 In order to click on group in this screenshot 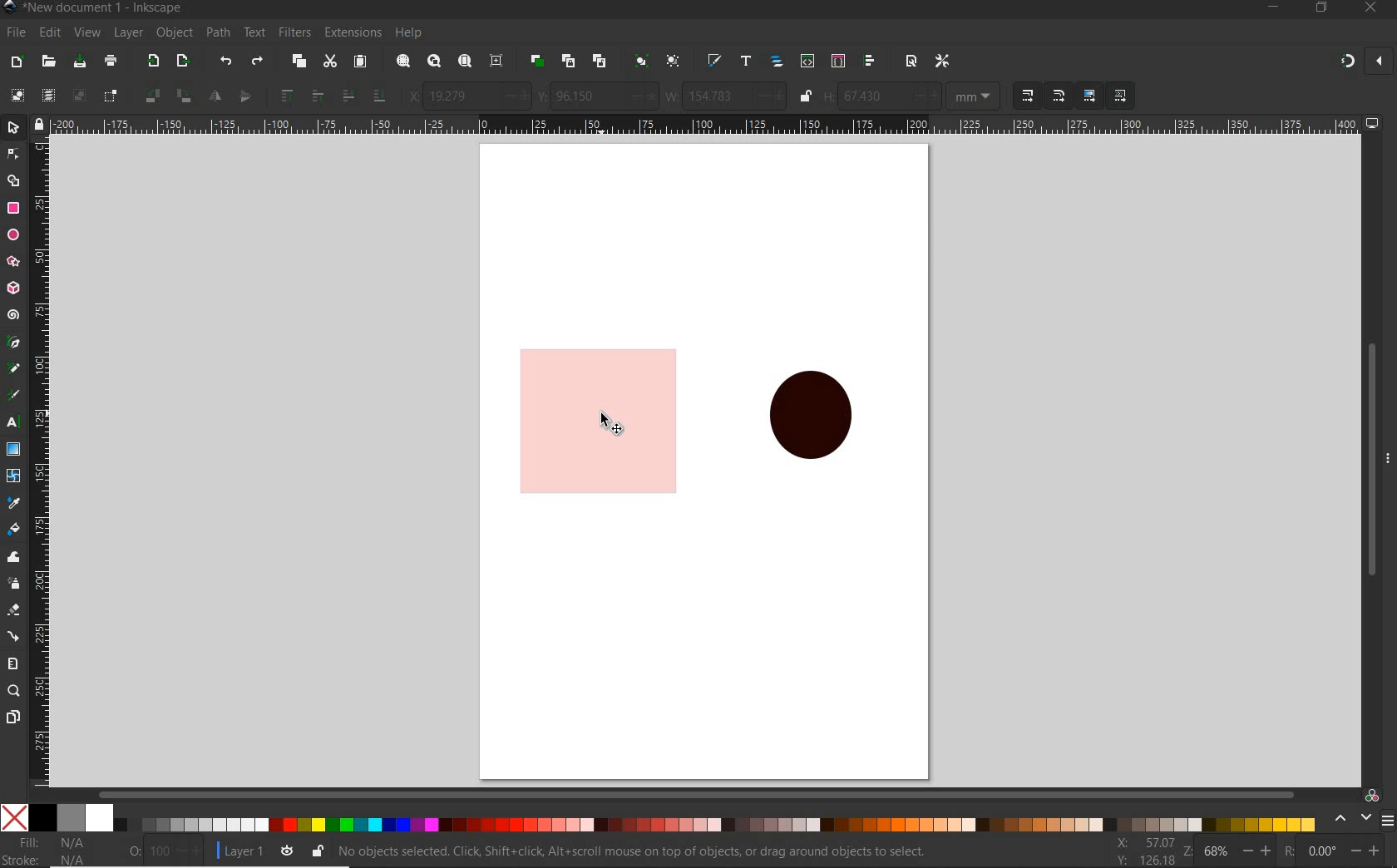, I will do `click(643, 62)`.